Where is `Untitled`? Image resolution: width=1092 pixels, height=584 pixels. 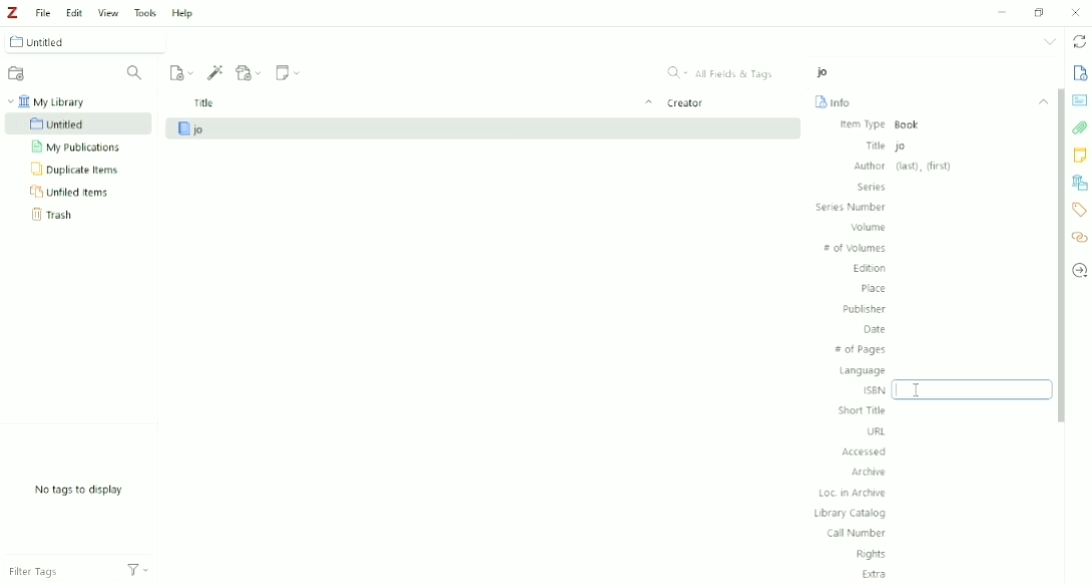 Untitled is located at coordinates (83, 41).